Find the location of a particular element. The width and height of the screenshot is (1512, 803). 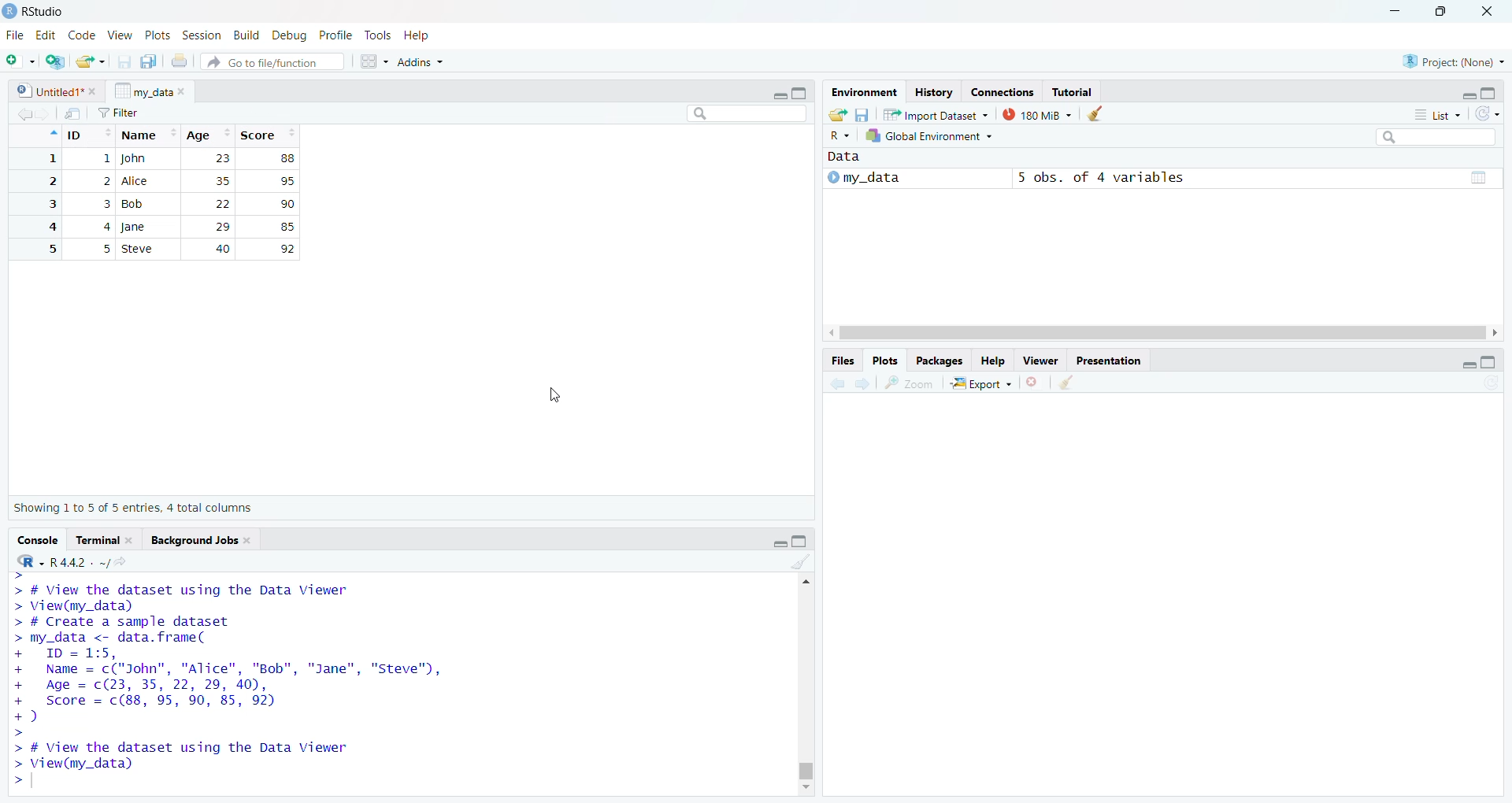

minimize is located at coordinates (1466, 97).